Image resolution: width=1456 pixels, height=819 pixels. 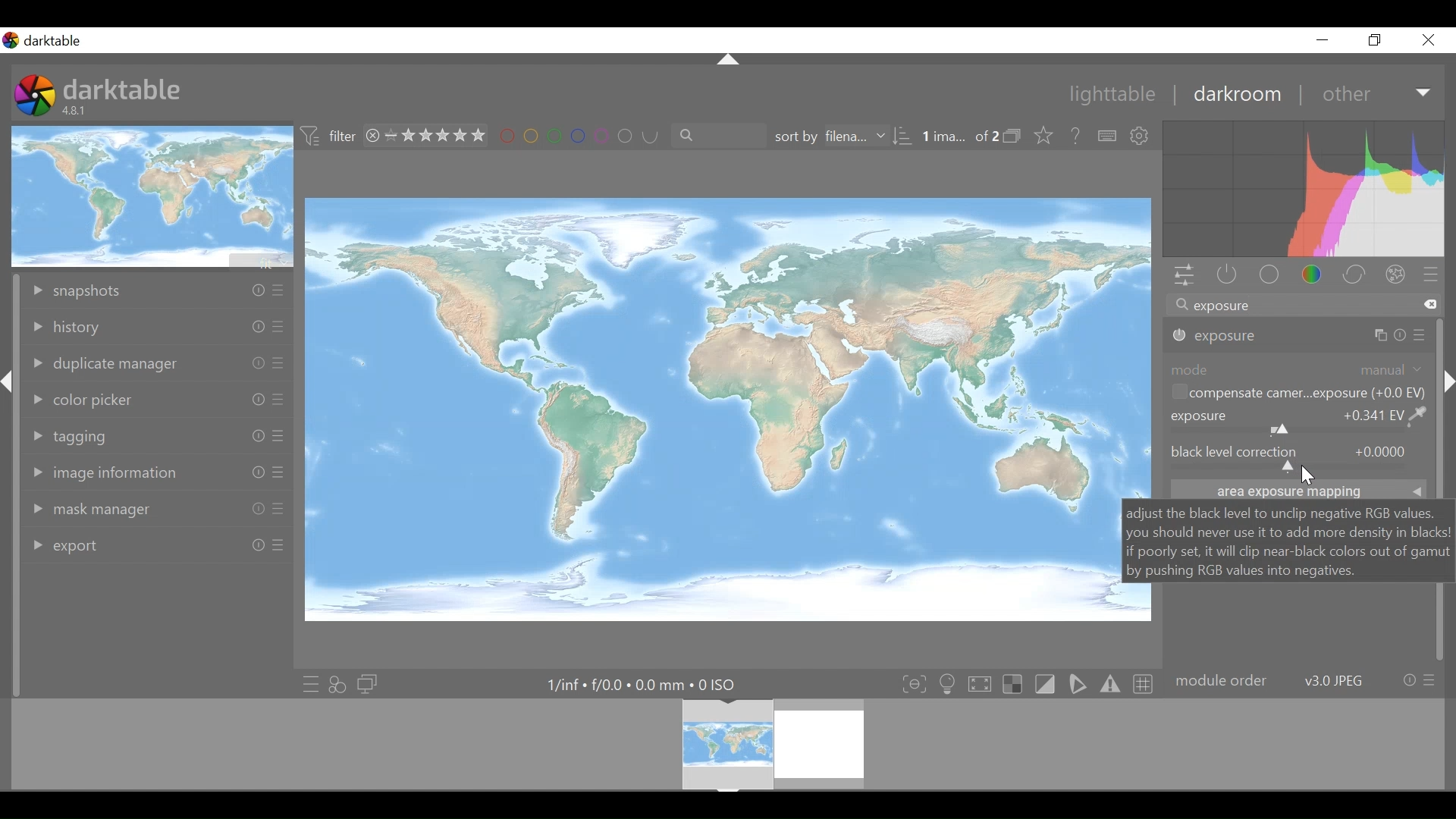 What do you see at coordinates (1185, 276) in the screenshot?
I see `quick access panel` at bounding box center [1185, 276].